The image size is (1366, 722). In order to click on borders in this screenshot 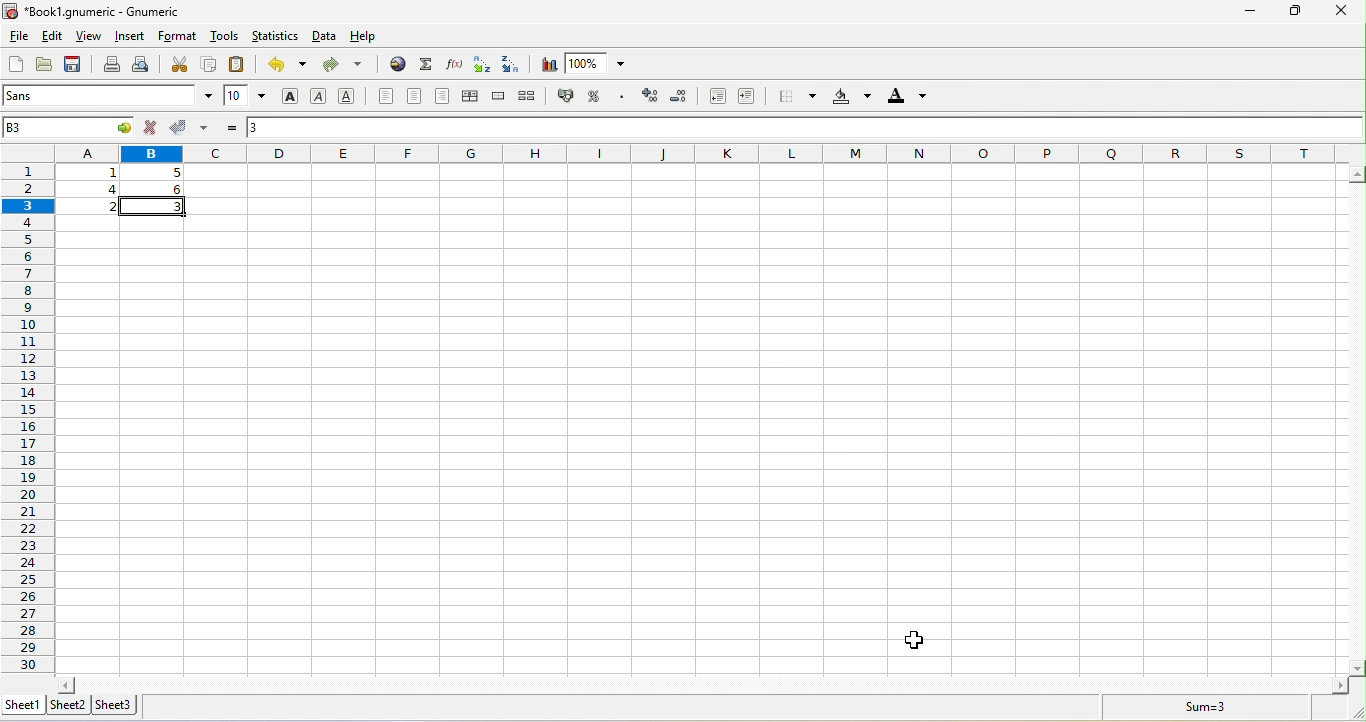, I will do `click(793, 97)`.